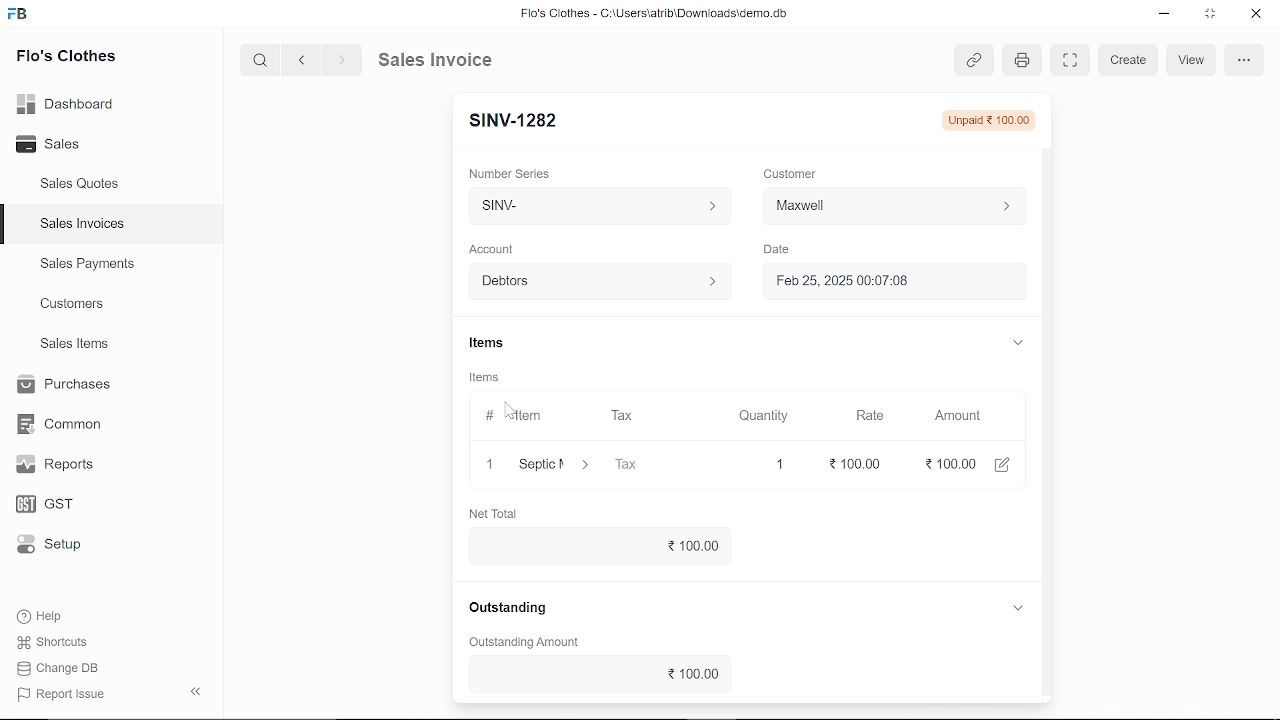 This screenshot has height=720, width=1280. What do you see at coordinates (780, 249) in the screenshot?
I see `Date` at bounding box center [780, 249].